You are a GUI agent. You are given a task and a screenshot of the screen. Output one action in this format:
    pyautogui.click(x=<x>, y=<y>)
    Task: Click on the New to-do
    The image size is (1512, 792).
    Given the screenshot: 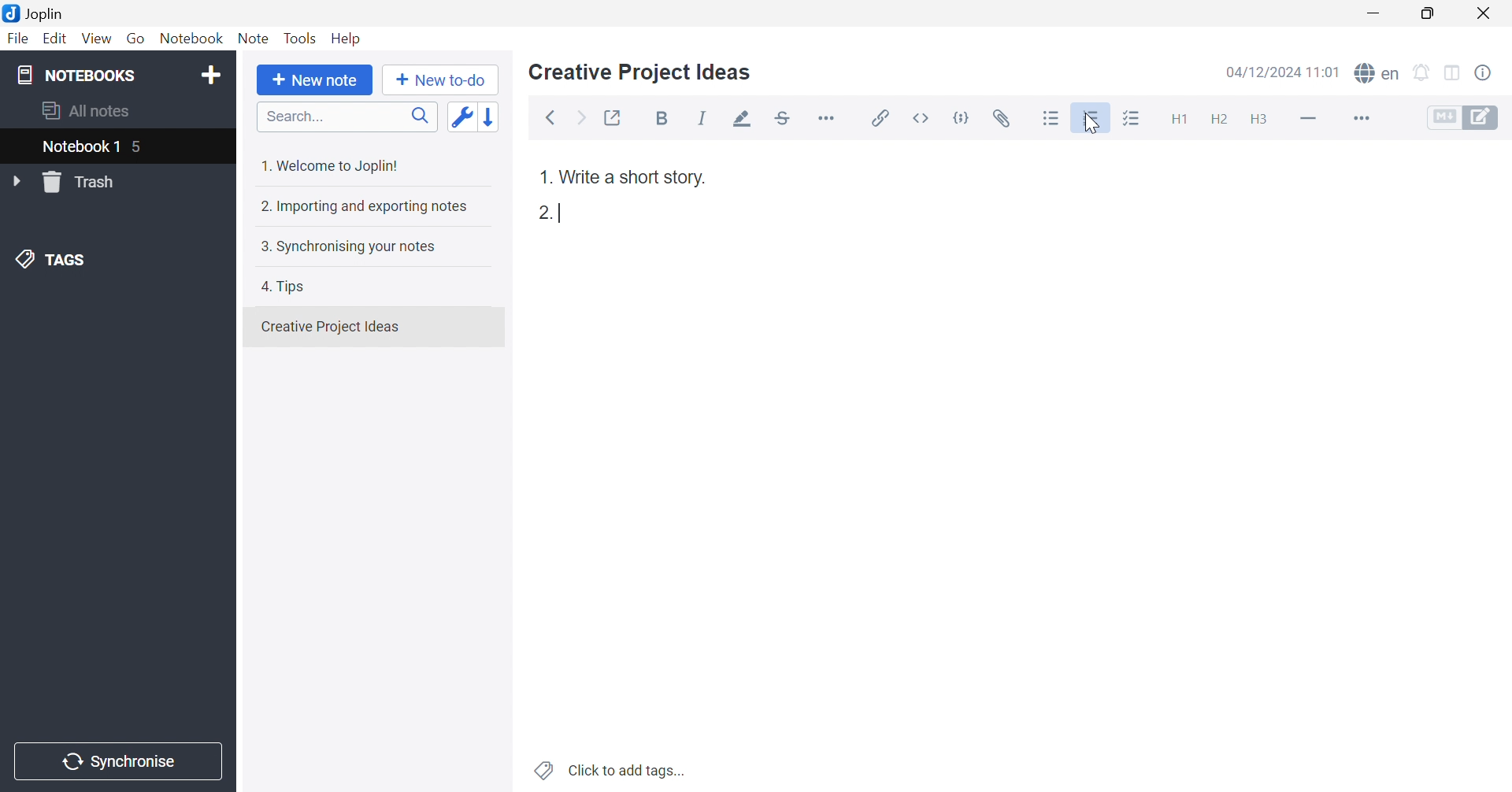 What is the action you would take?
    pyautogui.click(x=442, y=80)
    